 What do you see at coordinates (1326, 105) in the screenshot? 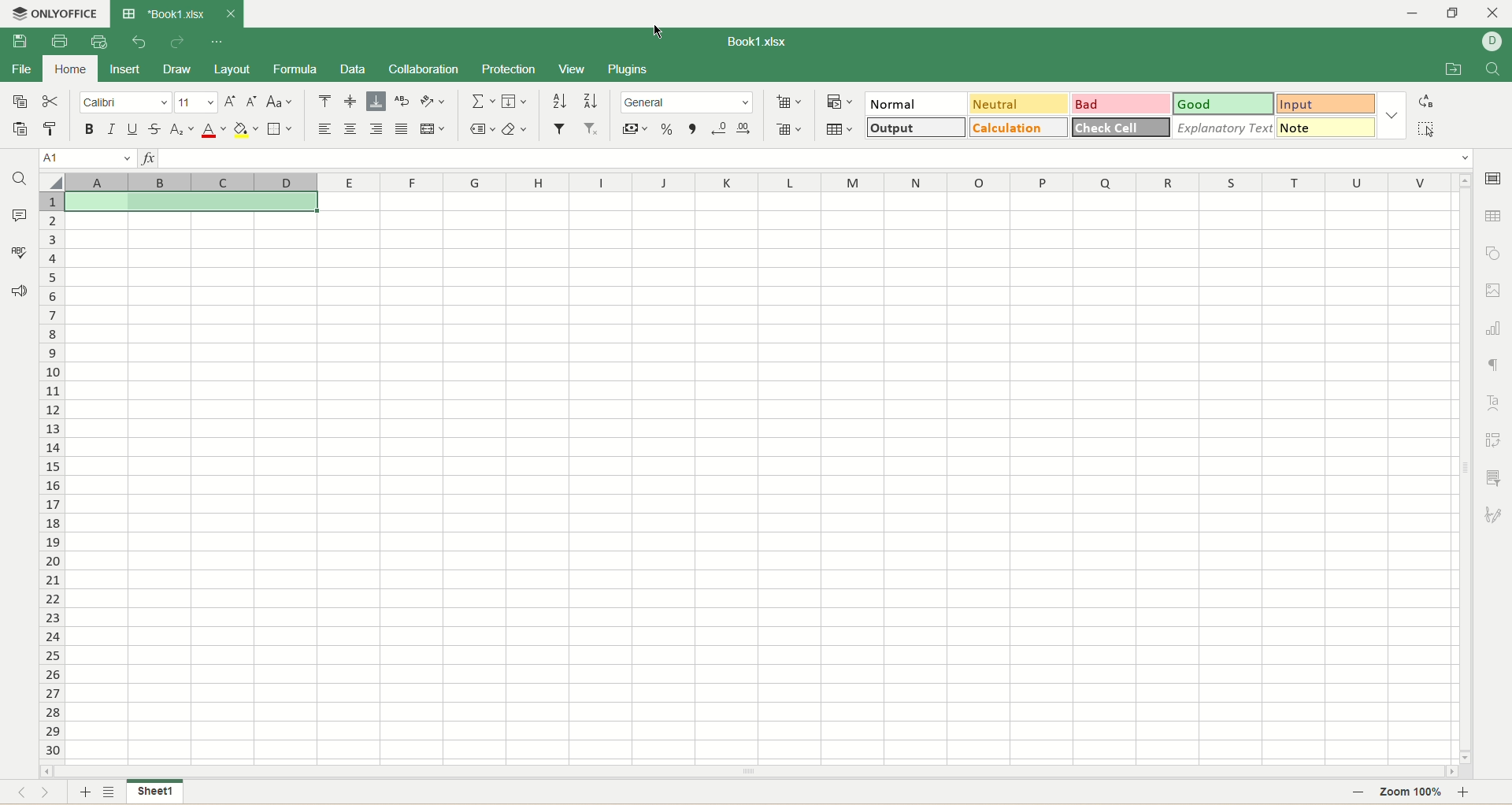
I see `input` at bounding box center [1326, 105].